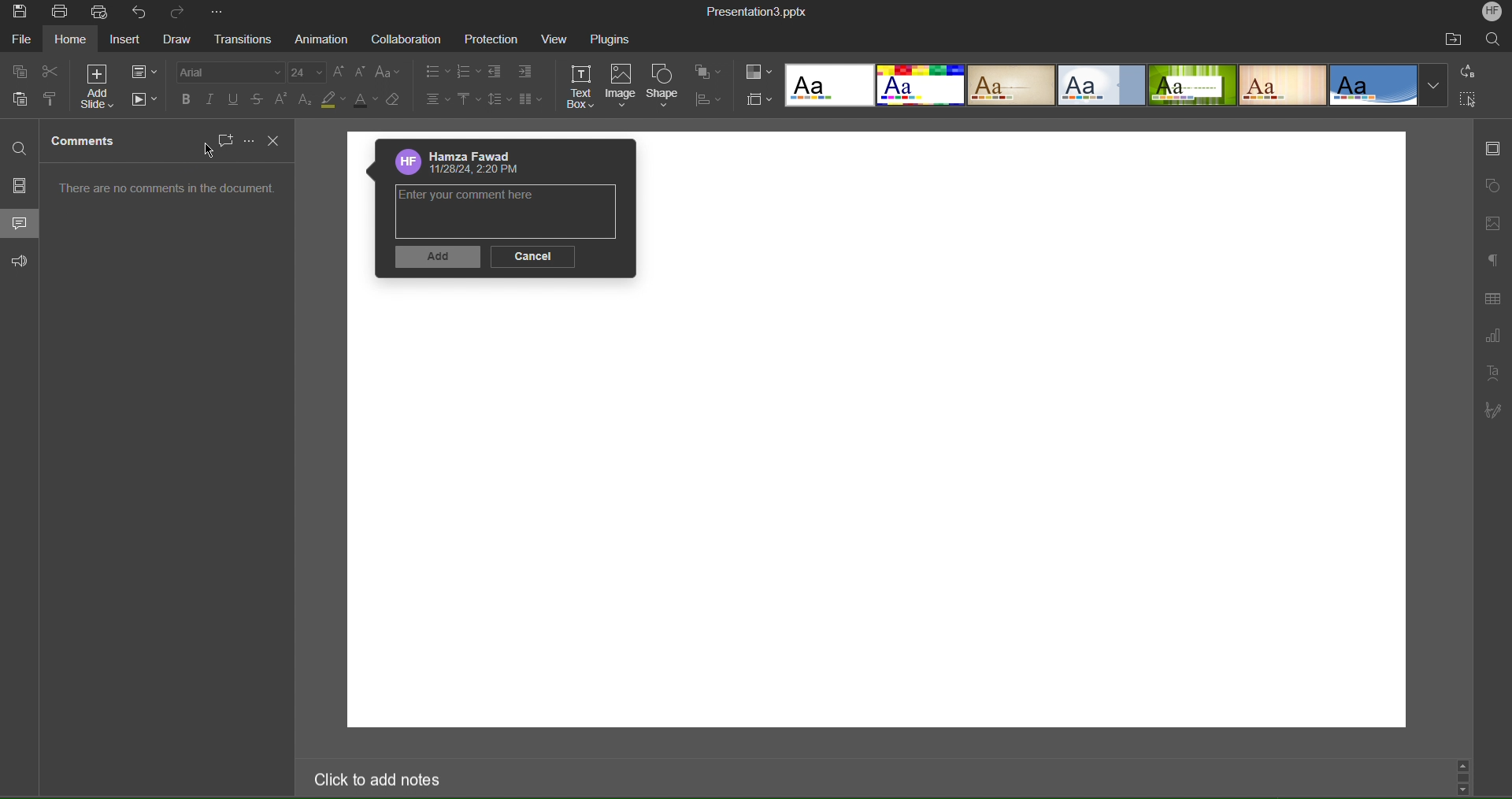 This screenshot has height=799, width=1512. What do you see at coordinates (1495, 300) in the screenshot?
I see `Table` at bounding box center [1495, 300].